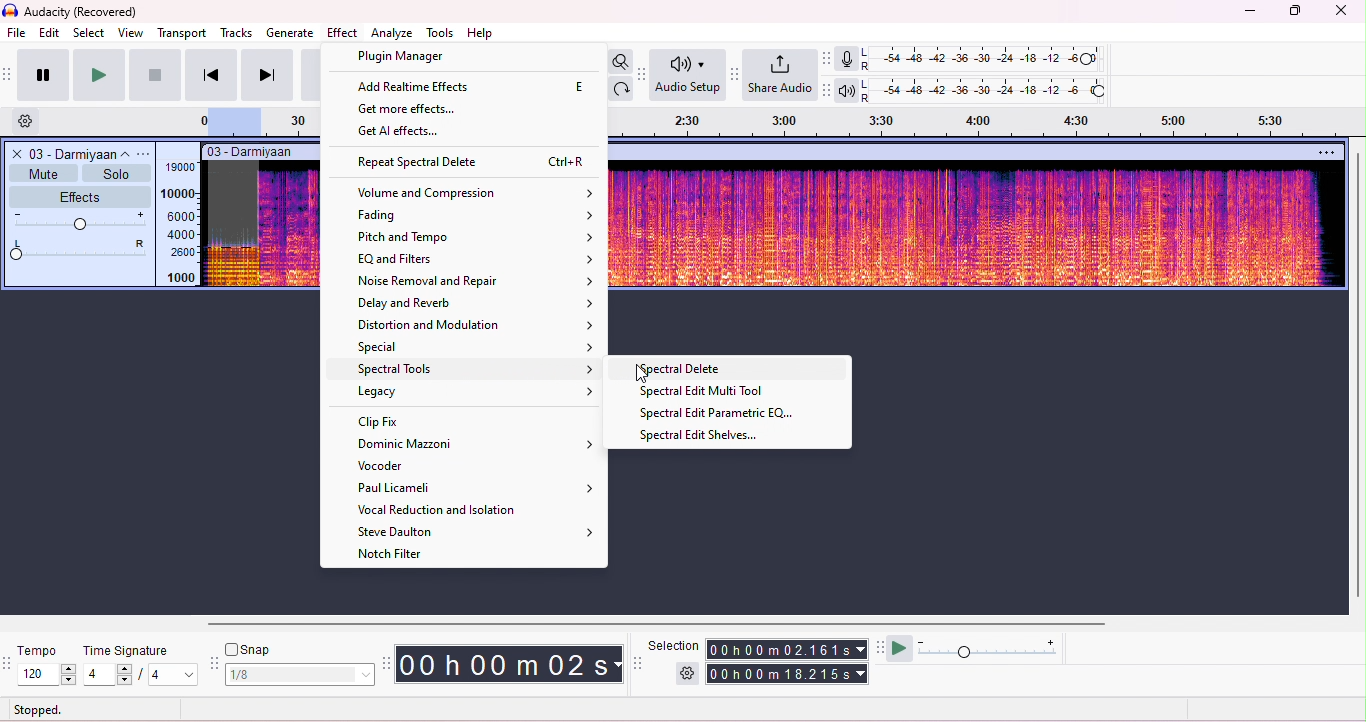 This screenshot has width=1366, height=722. I want to click on cursor movement, so click(644, 373).